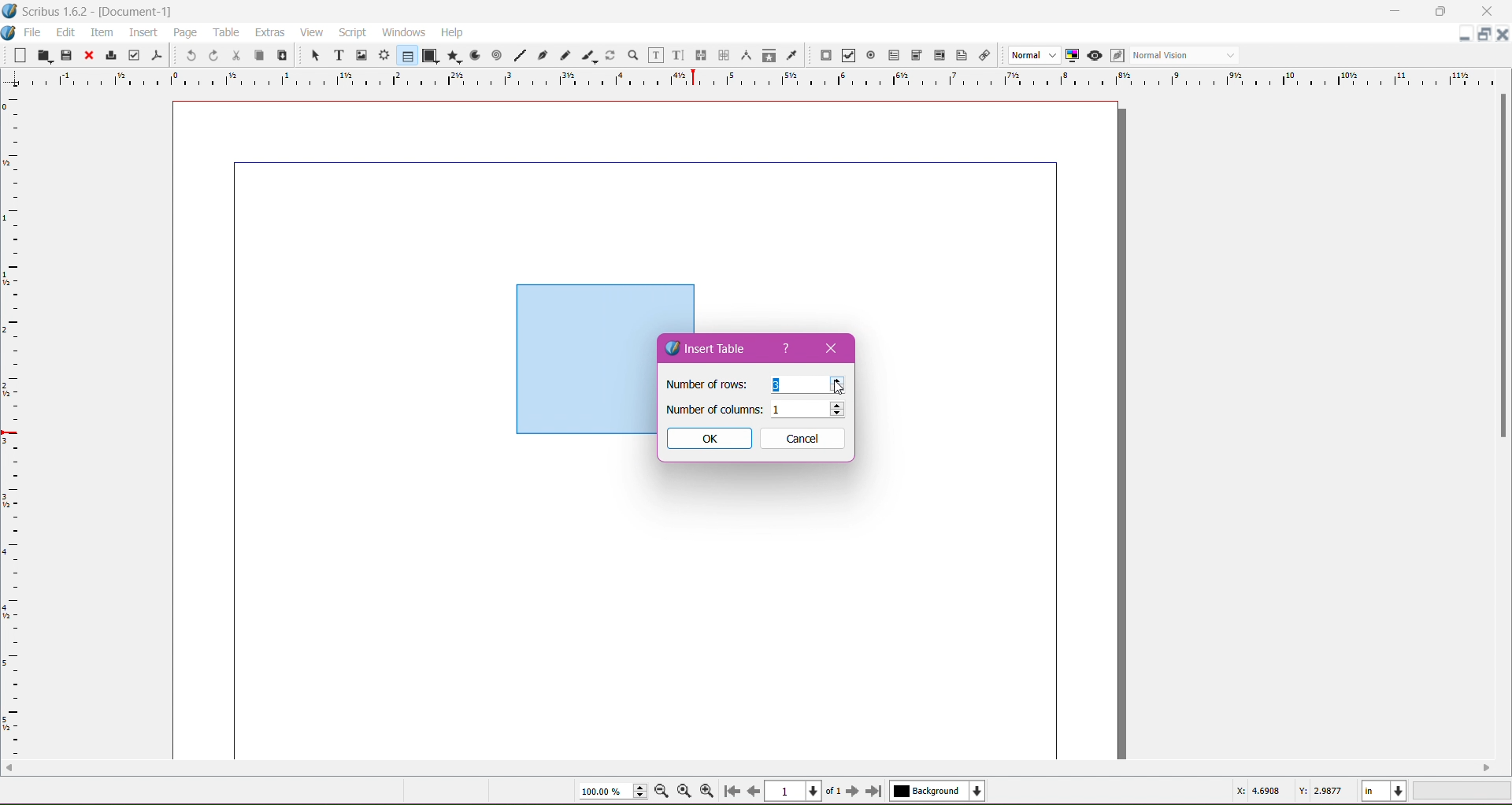  What do you see at coordinates (1385, 788) in the screenshot?
I see `in / Unit` at bounding box center [1385, 788].